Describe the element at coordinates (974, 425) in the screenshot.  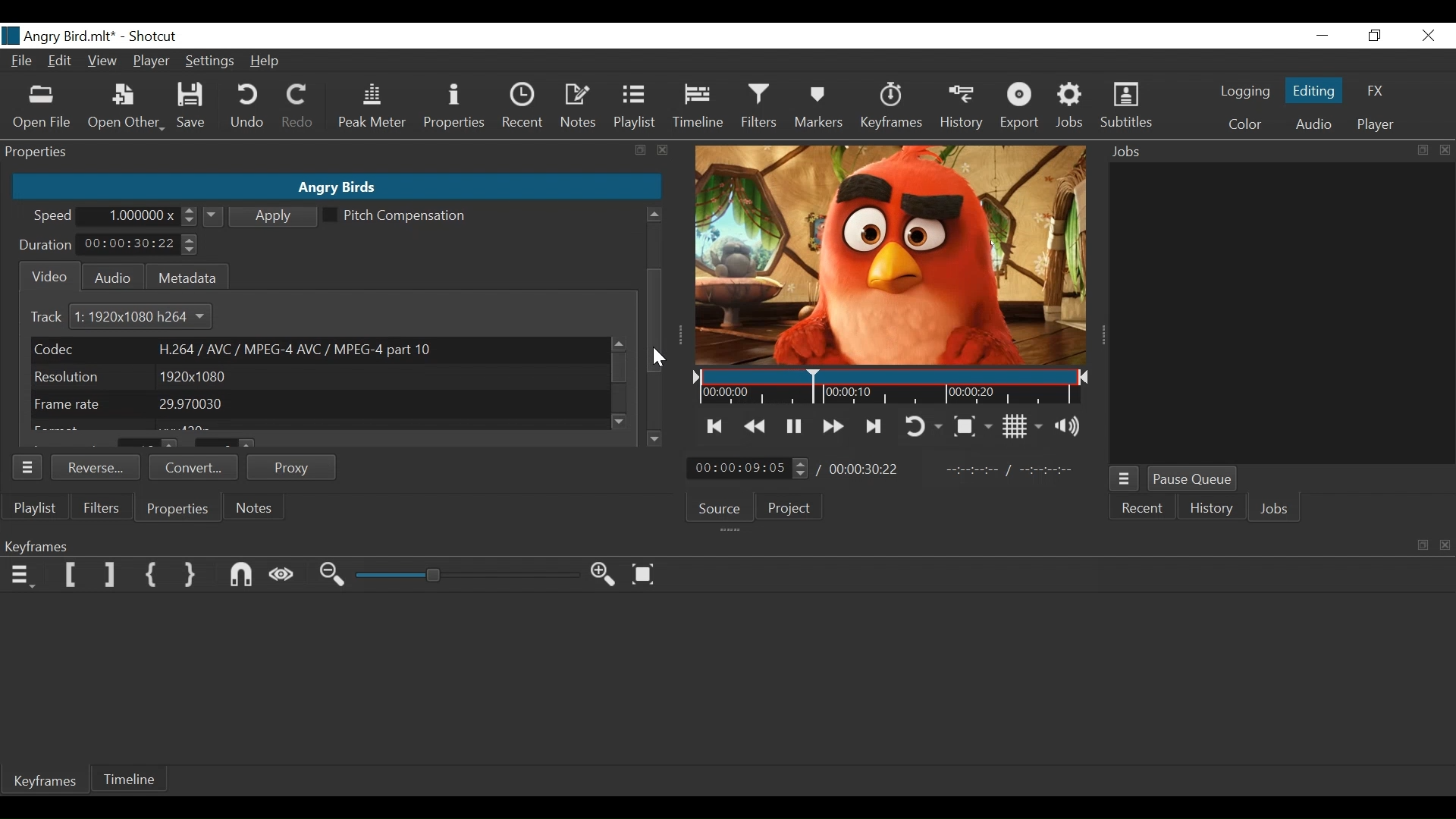
I see `Toggle zoom` at that location.